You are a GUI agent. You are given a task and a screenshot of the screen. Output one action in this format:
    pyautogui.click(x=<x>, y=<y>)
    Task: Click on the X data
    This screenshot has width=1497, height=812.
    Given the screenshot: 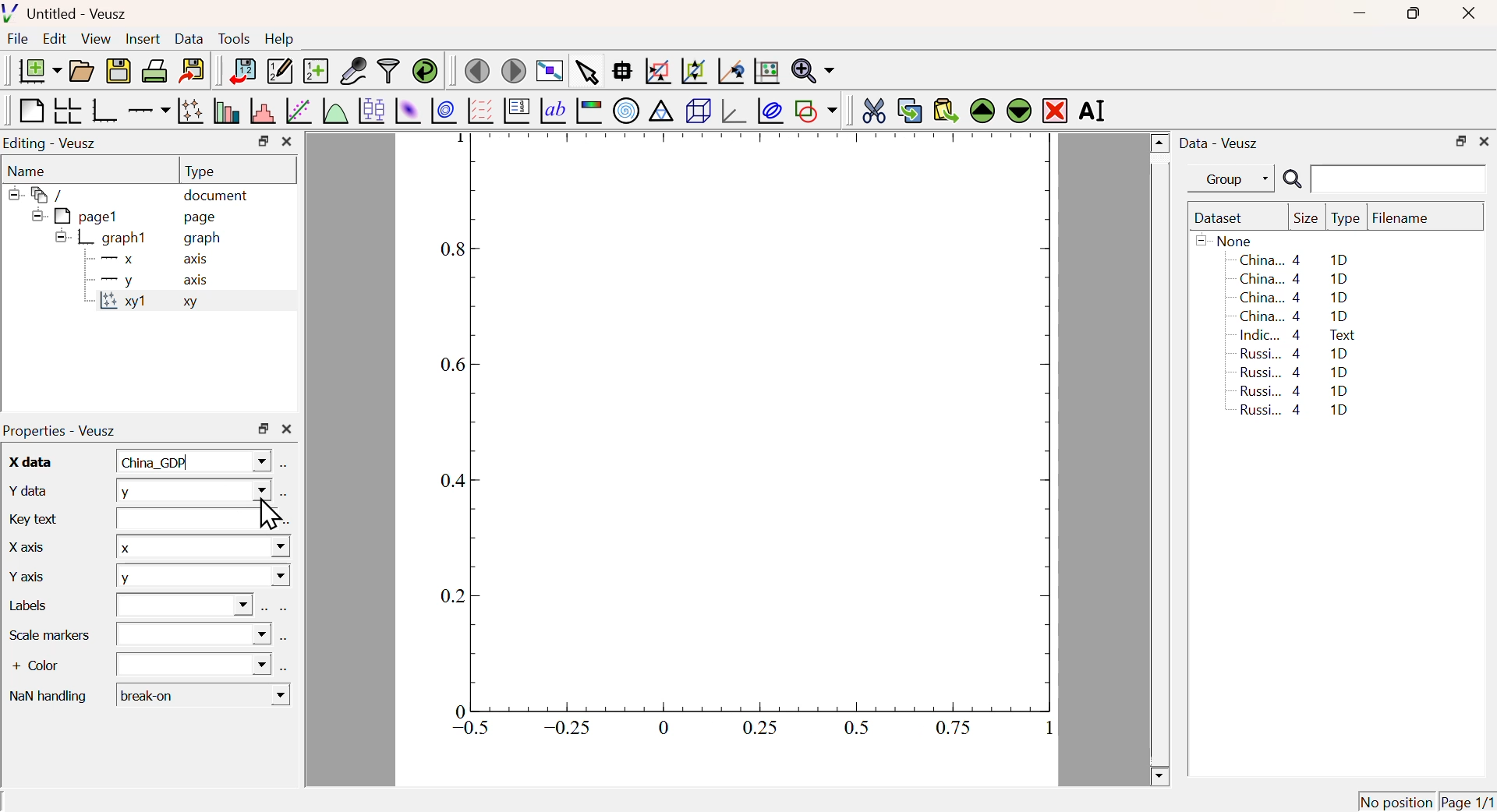 What is the action you would take?
    pyautogui.click(x=27, y=460)
    